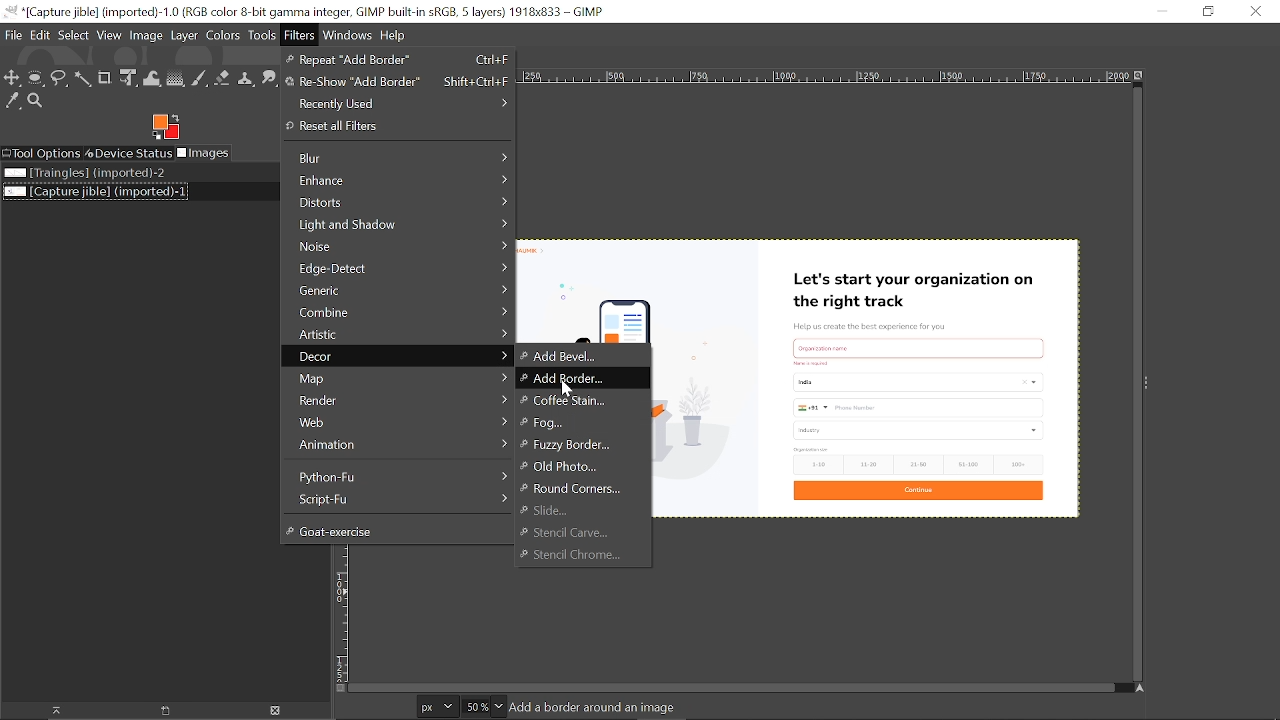  I want to click on Device status, so click(130, 152).